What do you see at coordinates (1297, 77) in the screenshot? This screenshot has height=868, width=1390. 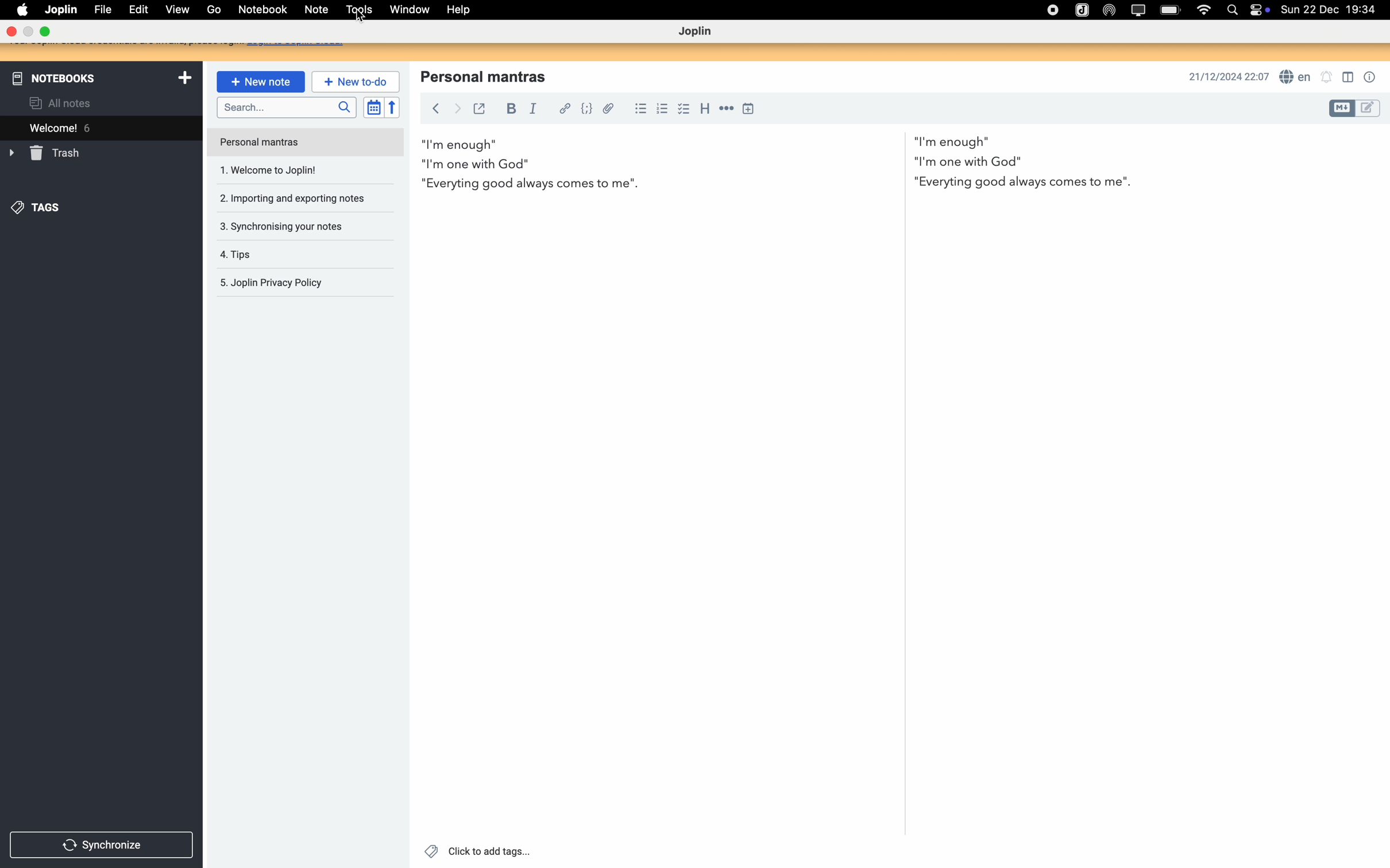 I see `spell checker` at bounding box center [1297, 77].